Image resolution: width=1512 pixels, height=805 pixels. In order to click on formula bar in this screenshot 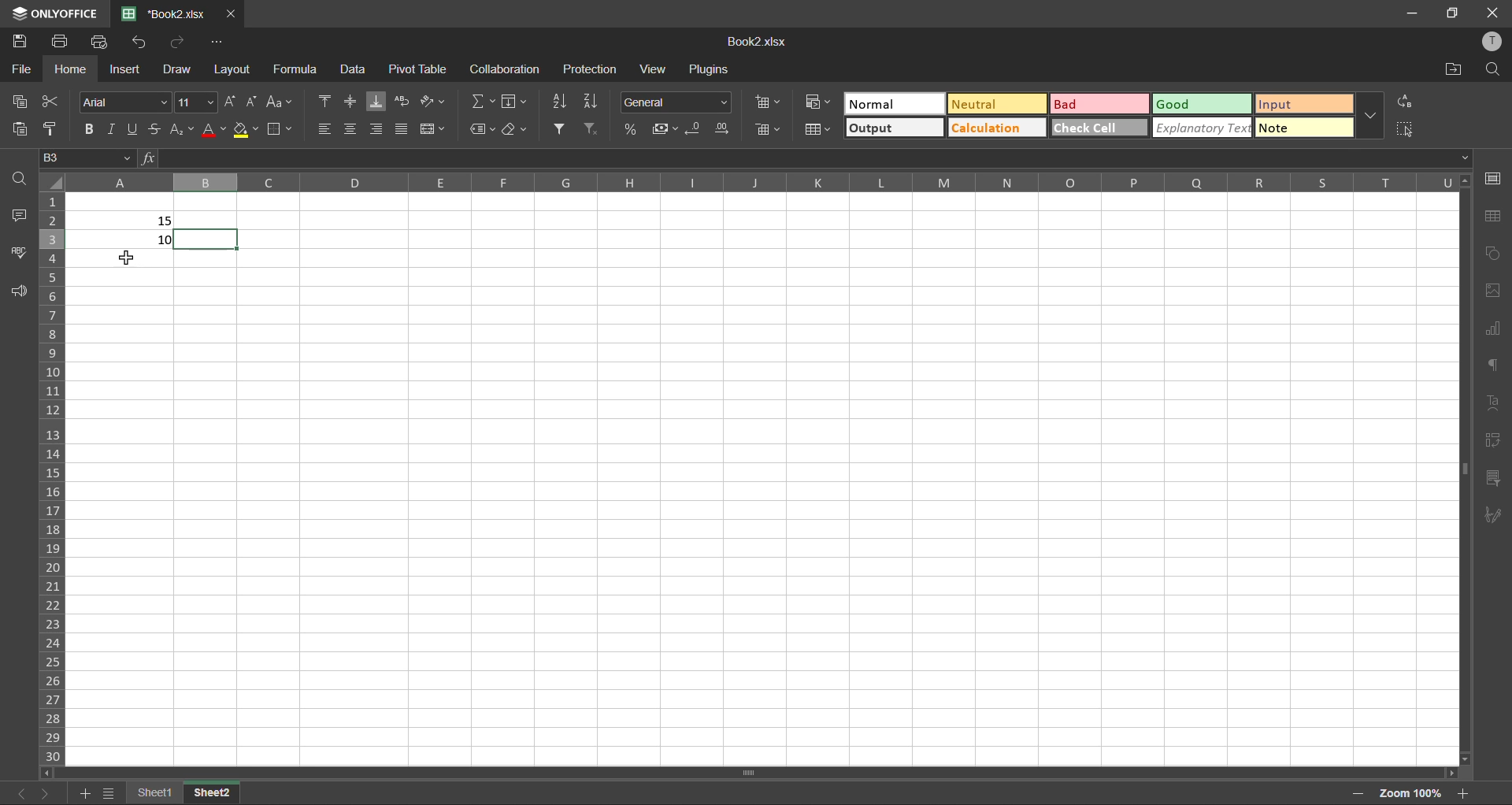, I will do `click(803, 158)`.